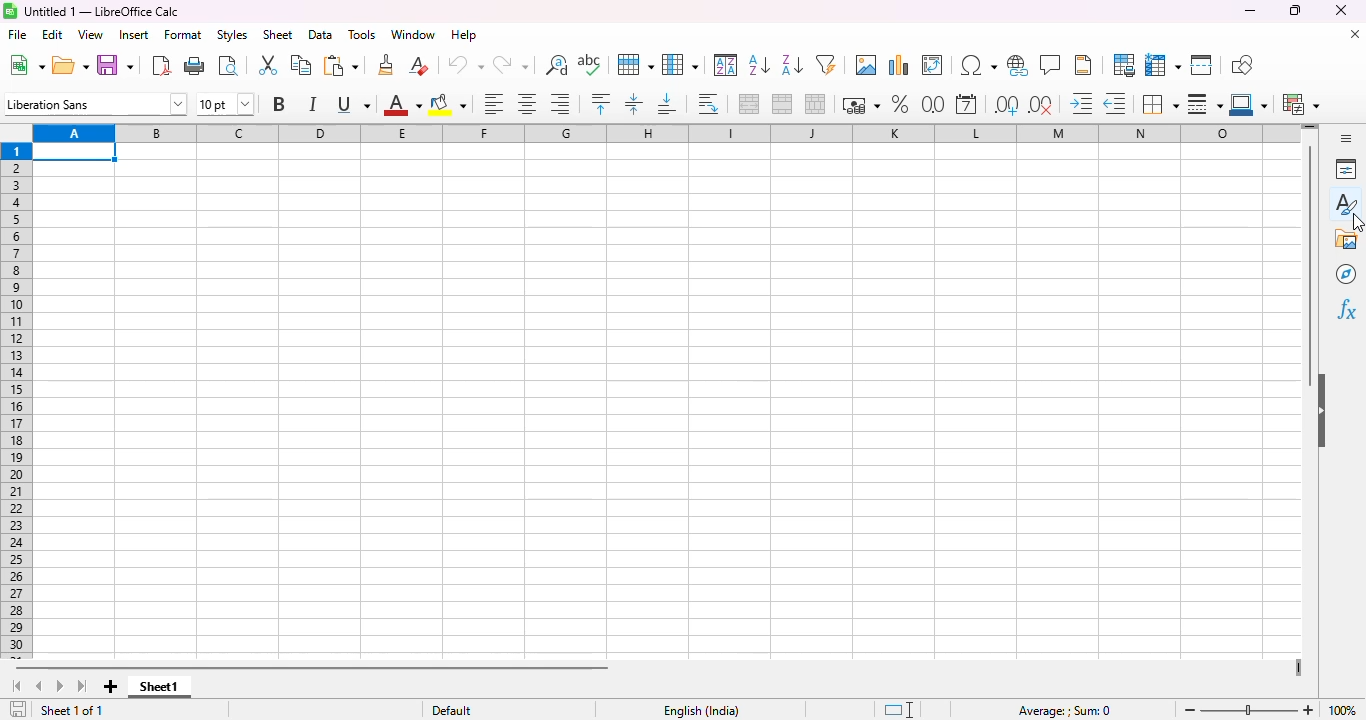 This screenshot has height=720, width=1366. What do you see at coordinates (1250, 104) in the screenshot?
I see `border color` at bounding box center [1250, 104].